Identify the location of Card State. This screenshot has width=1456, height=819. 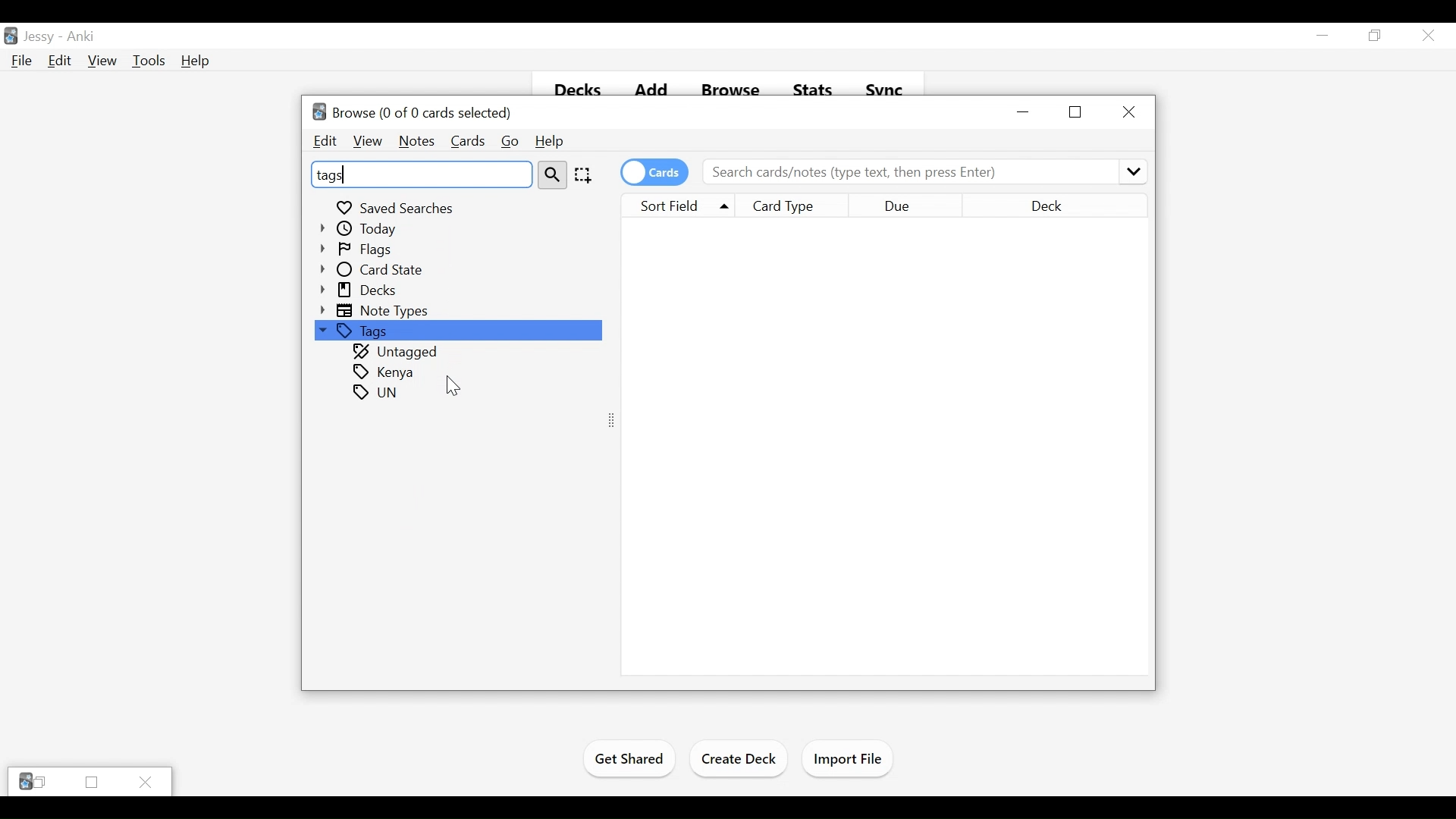
(376, 270).